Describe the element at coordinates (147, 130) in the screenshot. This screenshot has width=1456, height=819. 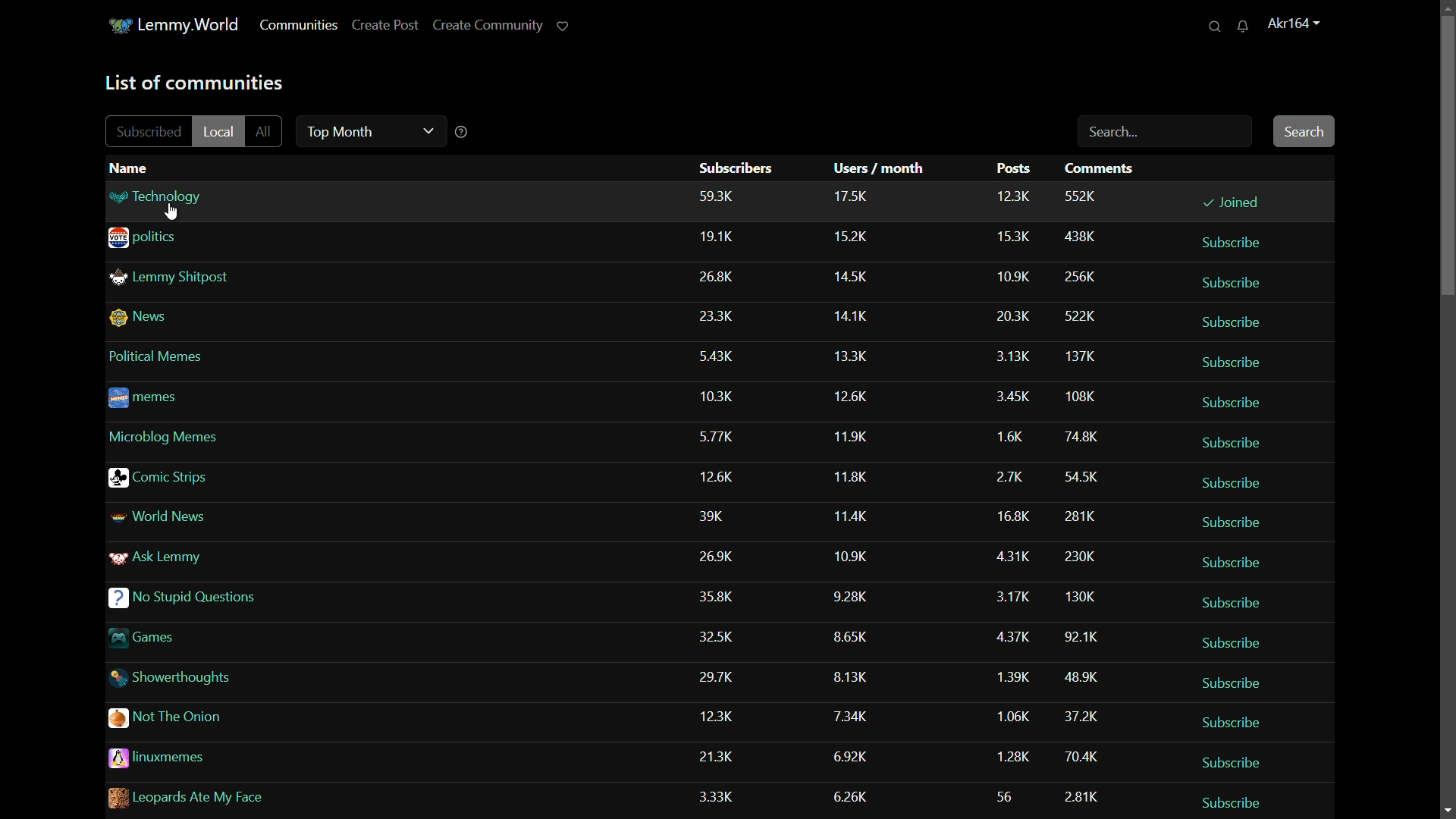
I see `subscribed` at that location.